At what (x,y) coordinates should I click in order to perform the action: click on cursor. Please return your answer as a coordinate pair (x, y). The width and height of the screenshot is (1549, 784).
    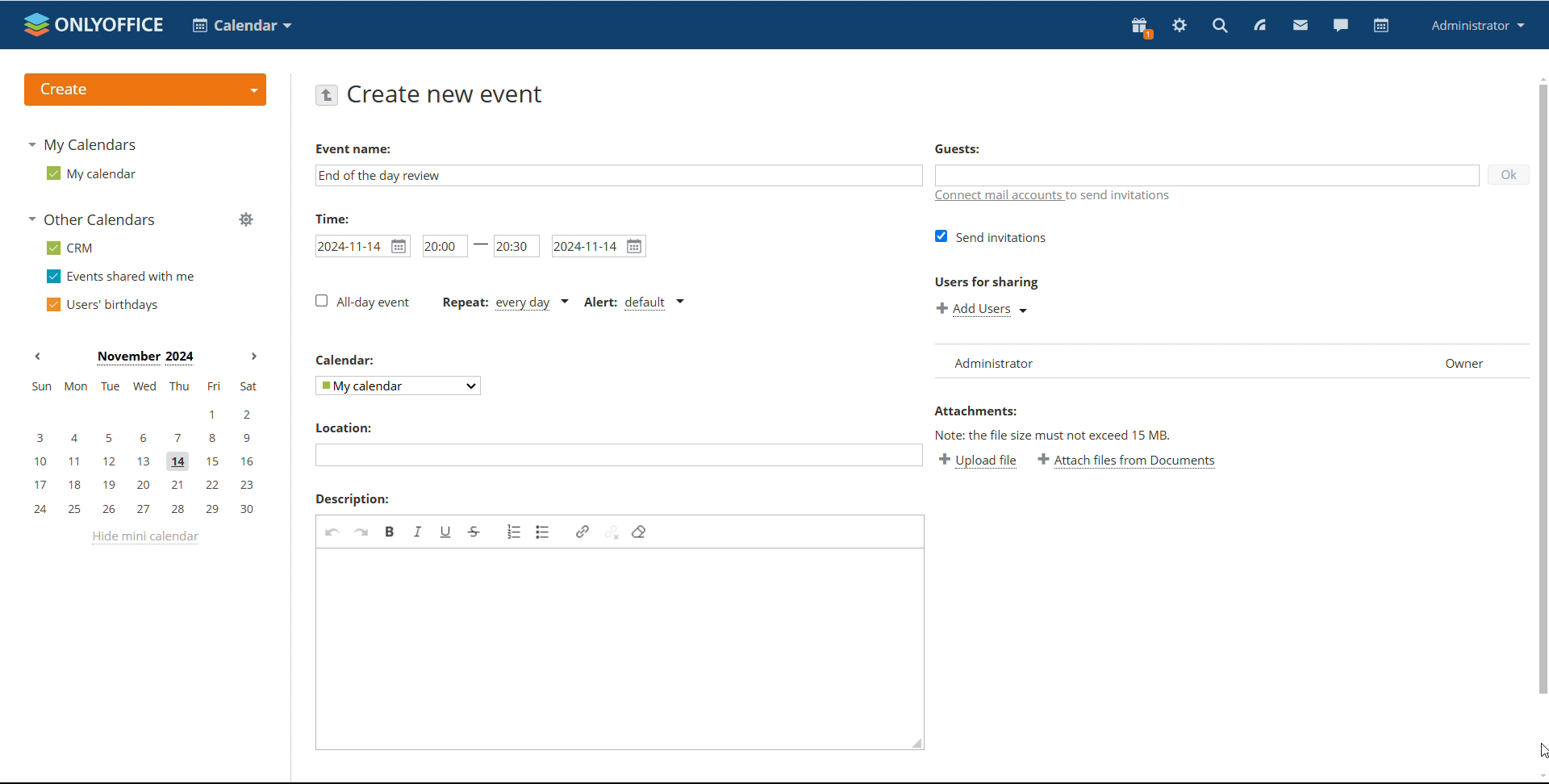
    Looking at the image, I should click on (1539, 750).